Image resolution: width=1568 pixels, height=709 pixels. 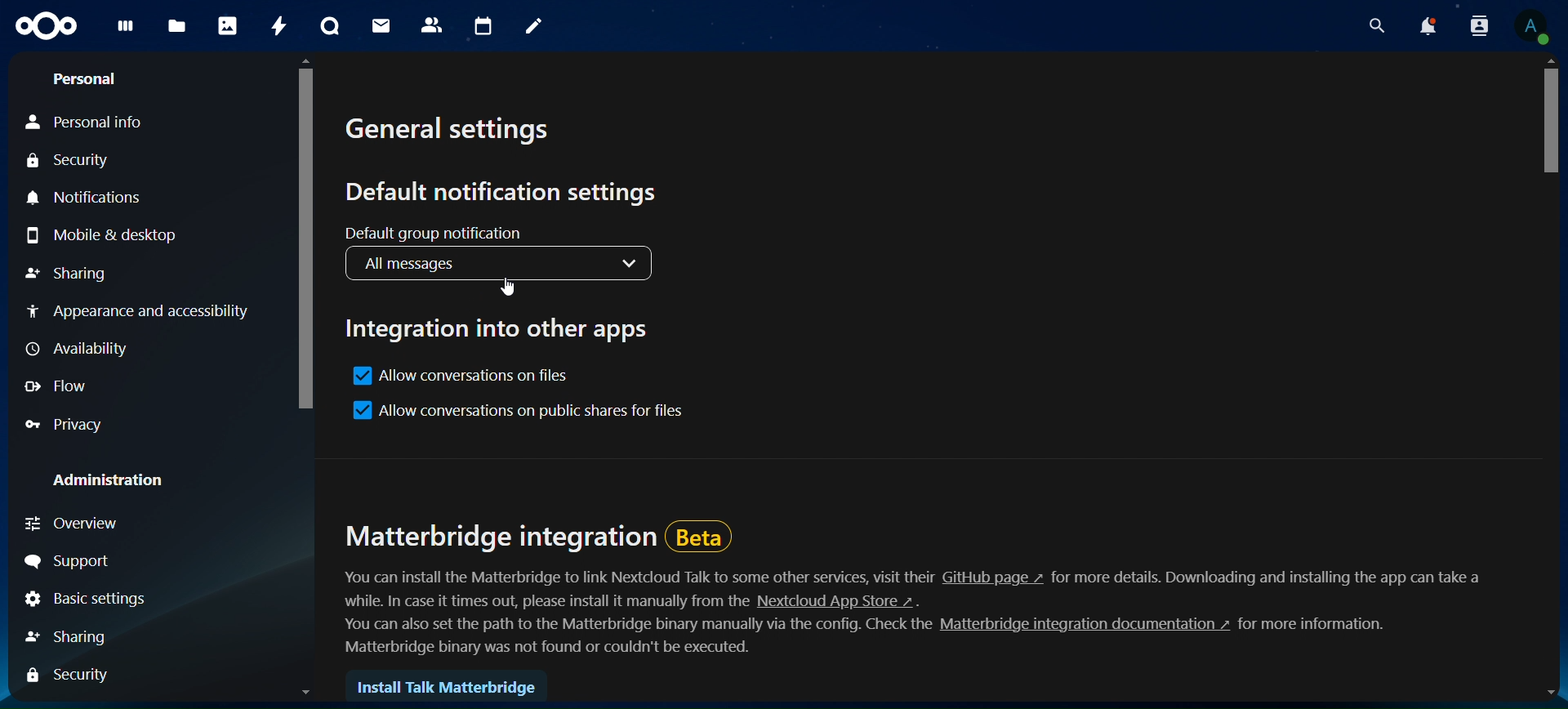 What do you see at coordinates (1368, 25) in the screenshot?
I see `search` at bounding box center [1368, 25].